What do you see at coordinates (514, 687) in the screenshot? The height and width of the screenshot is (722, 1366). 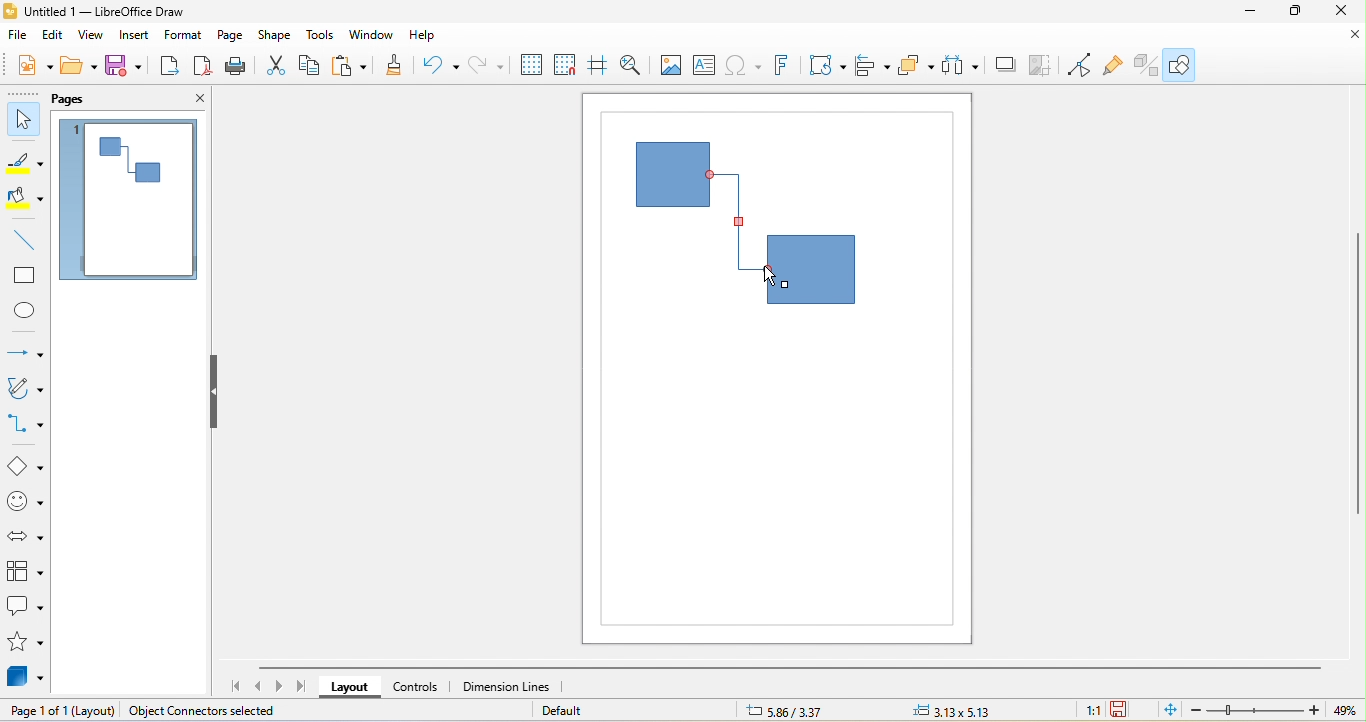 I see `dimension lines` at bounding box center [514, 687].